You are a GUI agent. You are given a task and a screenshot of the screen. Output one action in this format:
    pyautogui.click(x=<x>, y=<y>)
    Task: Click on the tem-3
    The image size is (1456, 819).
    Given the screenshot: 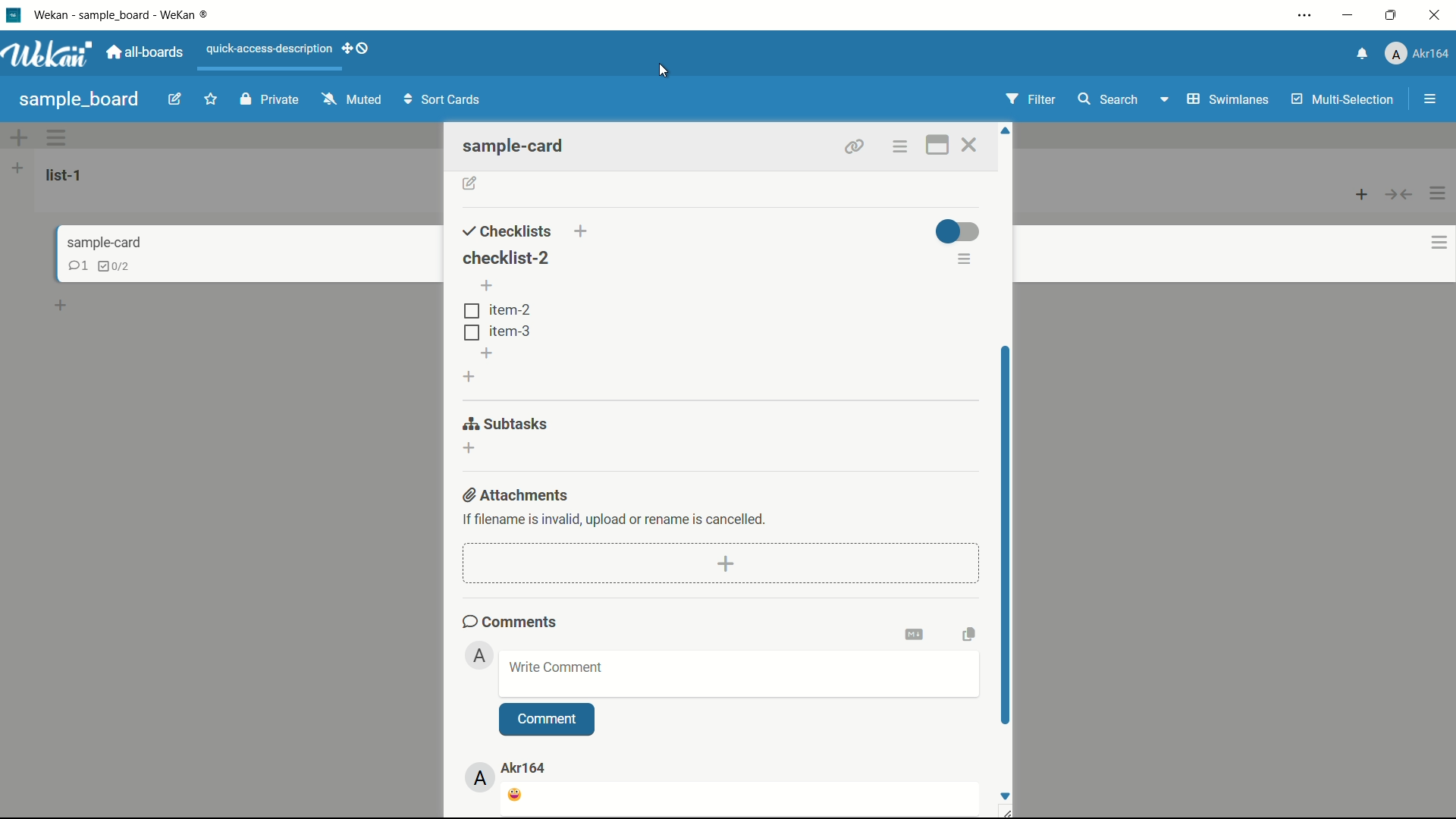 What is the action you would take?
    pyautogui.click(x=497, y=331)
    